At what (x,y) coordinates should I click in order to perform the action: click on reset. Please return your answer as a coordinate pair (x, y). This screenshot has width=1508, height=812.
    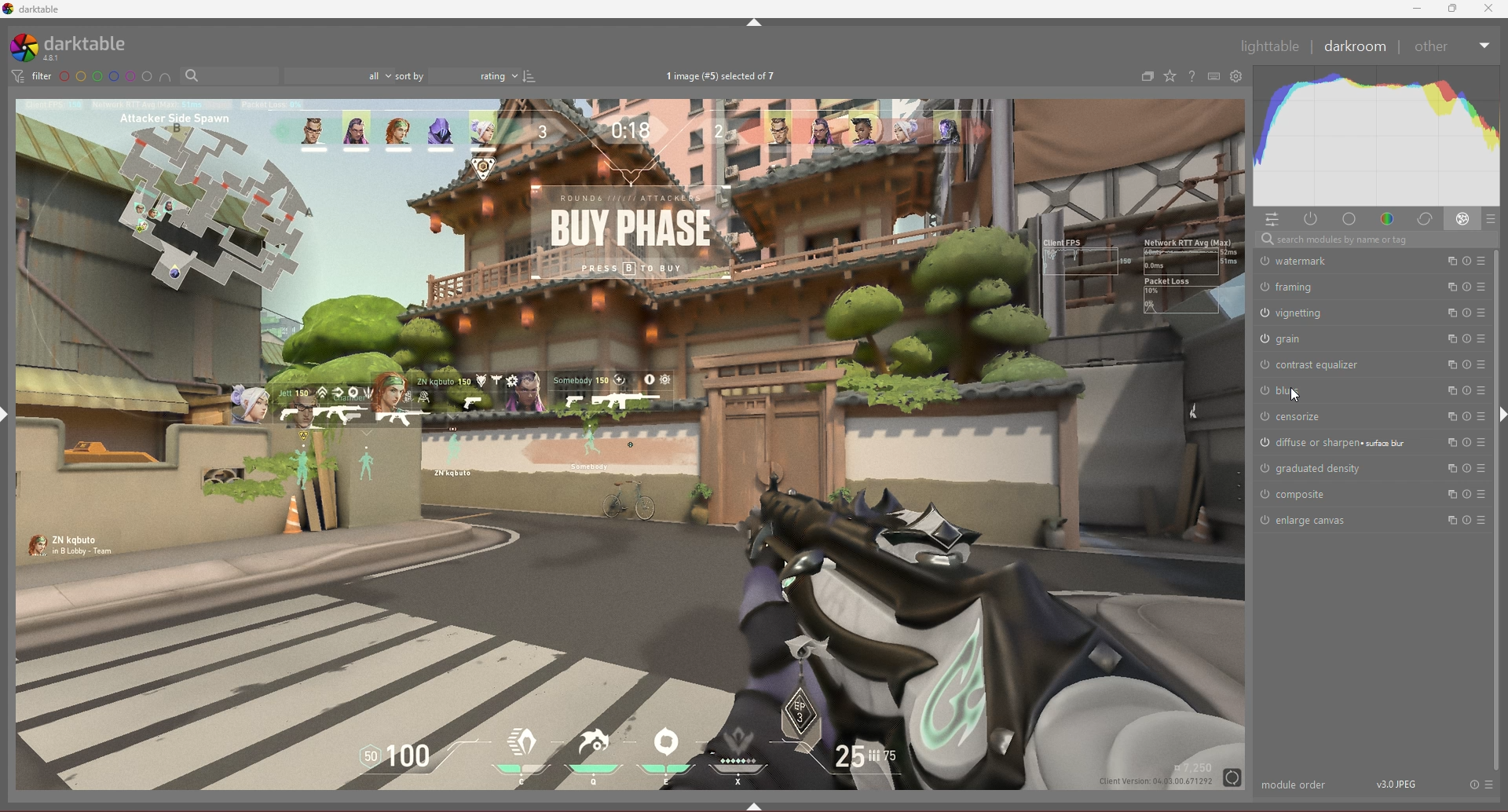
    Looking at the image, I should click on (1466, 287).